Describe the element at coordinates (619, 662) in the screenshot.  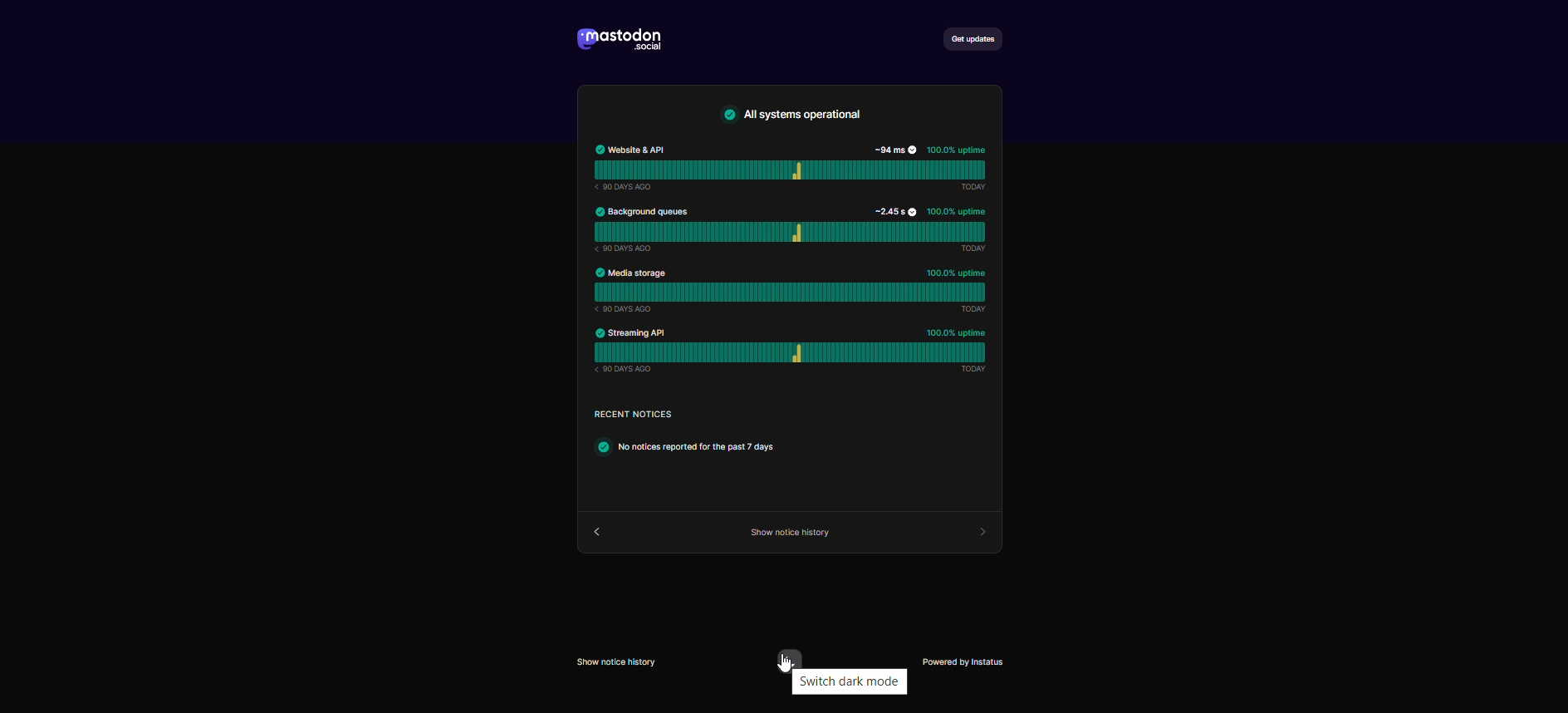
I see `show service history` at that location.